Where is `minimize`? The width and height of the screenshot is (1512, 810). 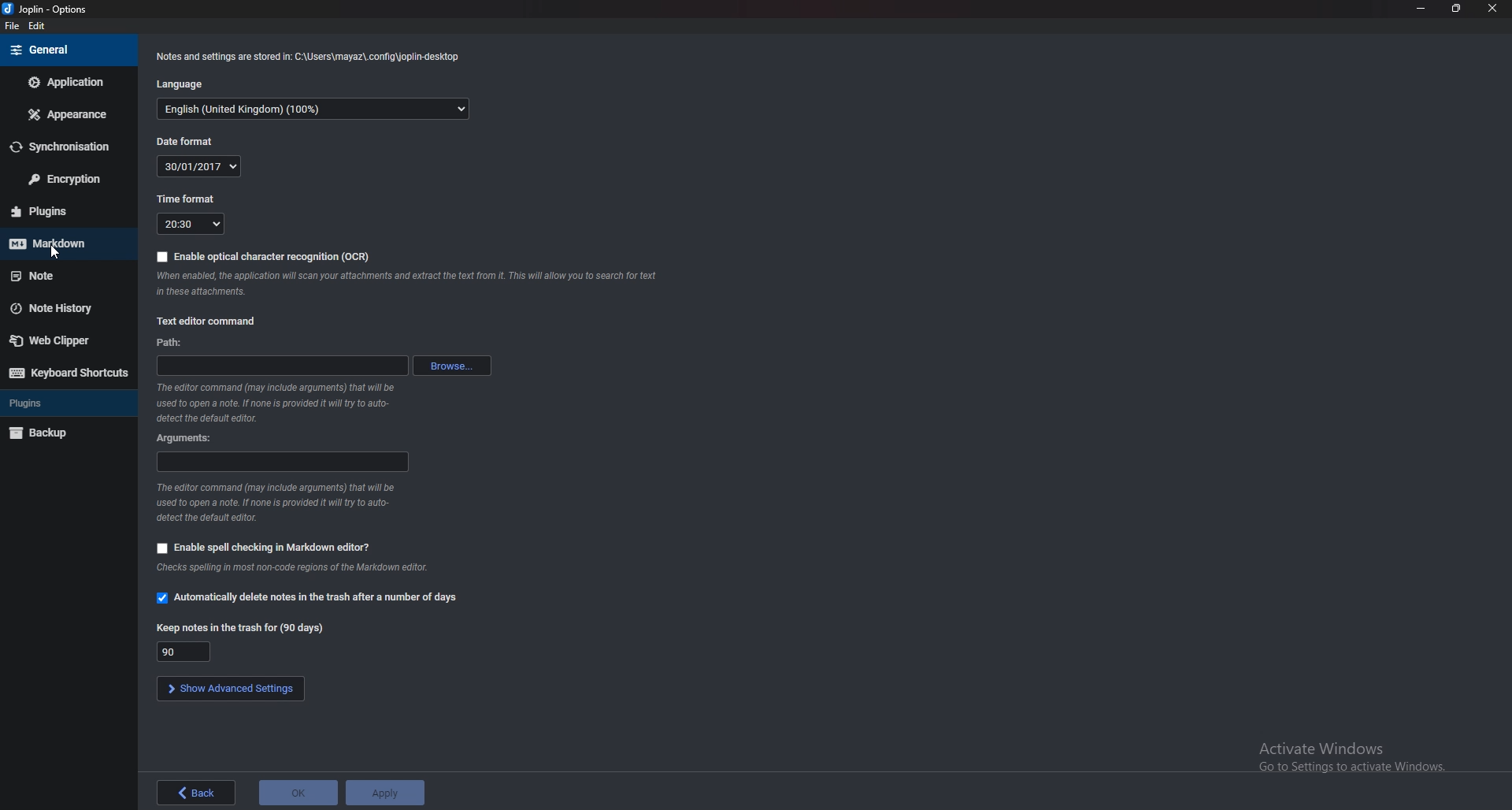
minimize is located at coordinates (1421, 7).